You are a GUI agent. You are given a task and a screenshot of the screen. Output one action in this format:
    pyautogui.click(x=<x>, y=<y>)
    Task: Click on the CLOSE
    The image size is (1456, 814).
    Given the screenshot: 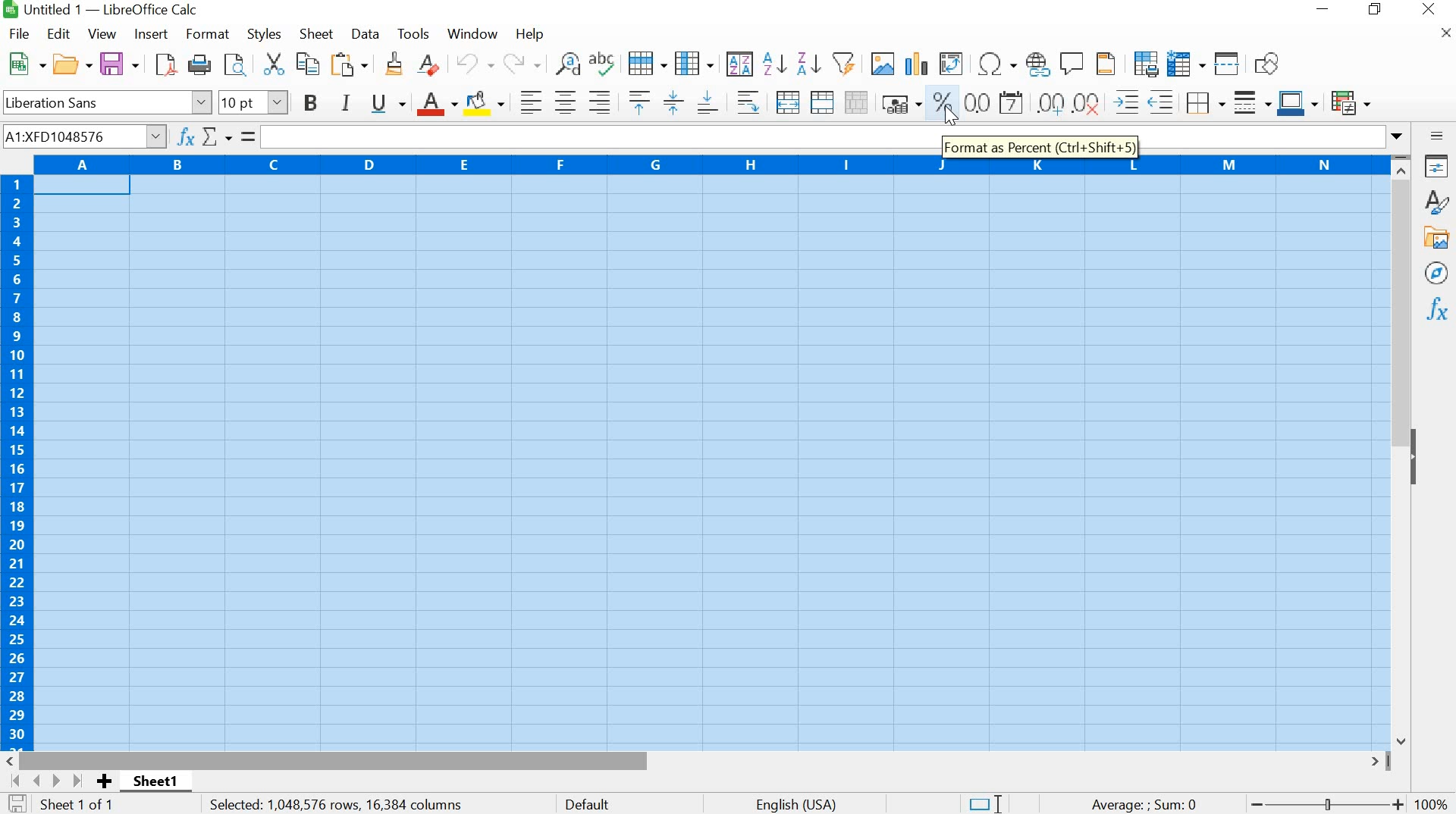 What is the action you would take?
    pyautogui.click(x=1427, y=9)
    